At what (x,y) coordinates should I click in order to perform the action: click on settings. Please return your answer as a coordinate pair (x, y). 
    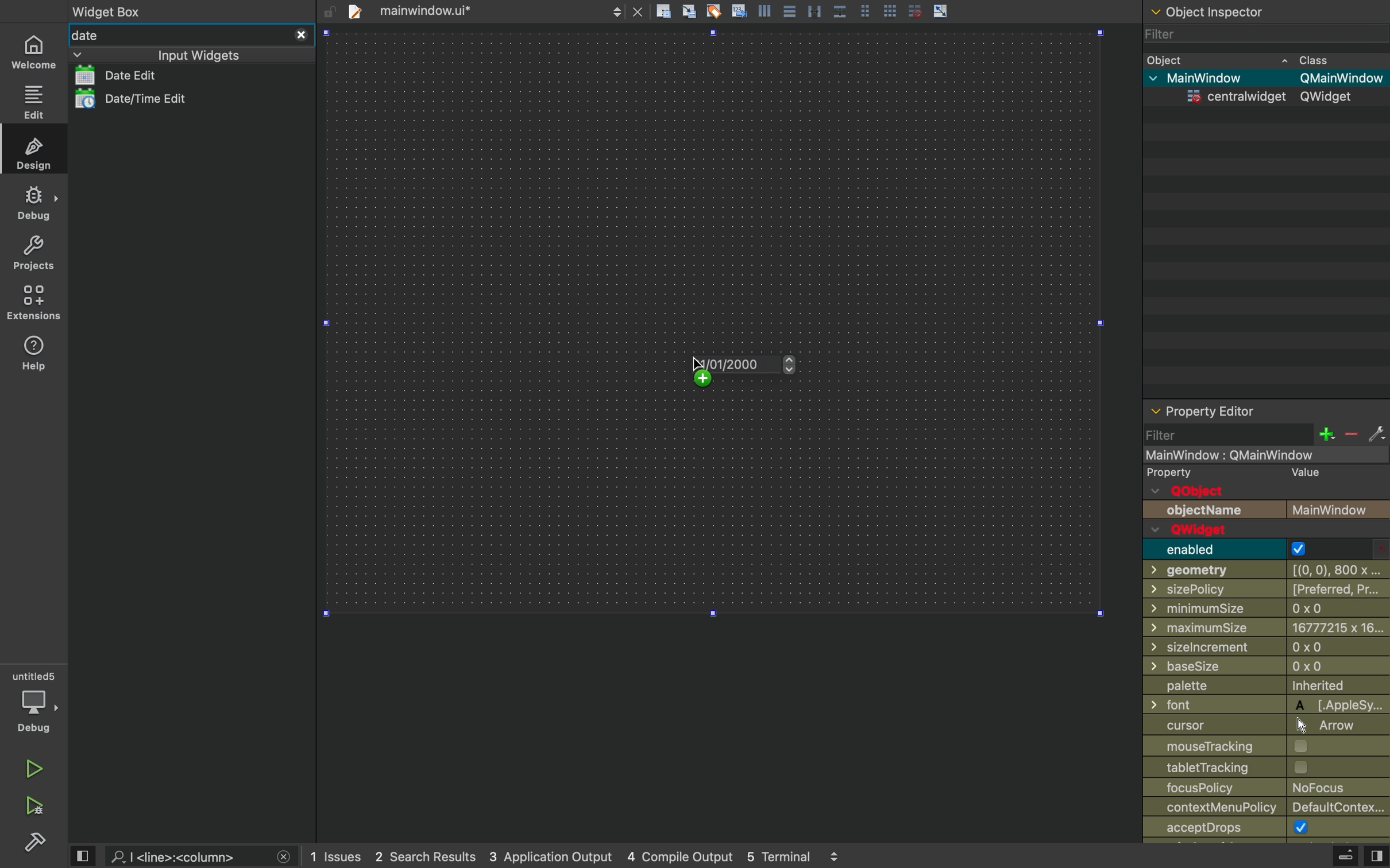
    Looking at the image, I should click on (1376, 433).